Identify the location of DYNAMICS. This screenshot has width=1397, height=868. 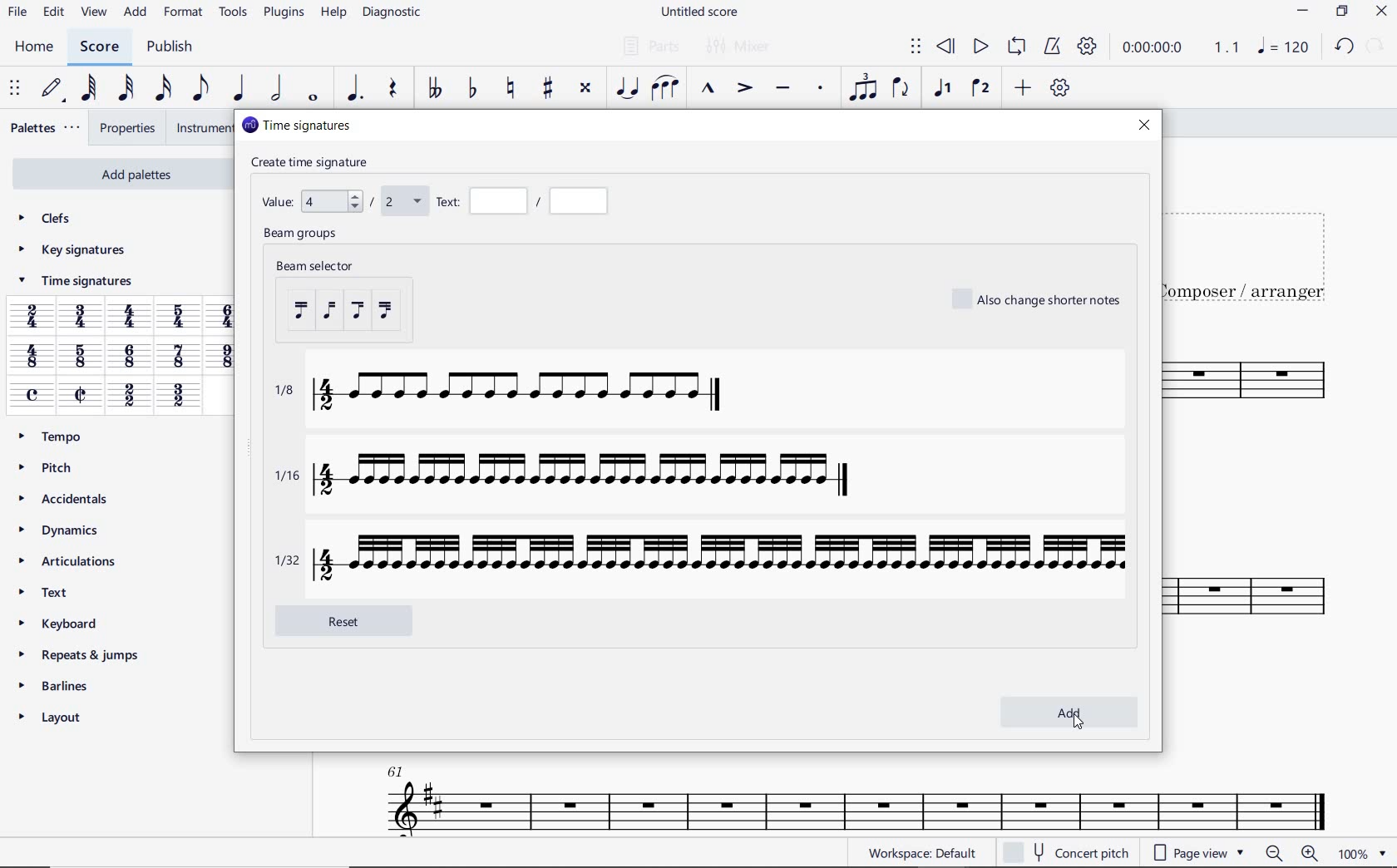
(62, 530).